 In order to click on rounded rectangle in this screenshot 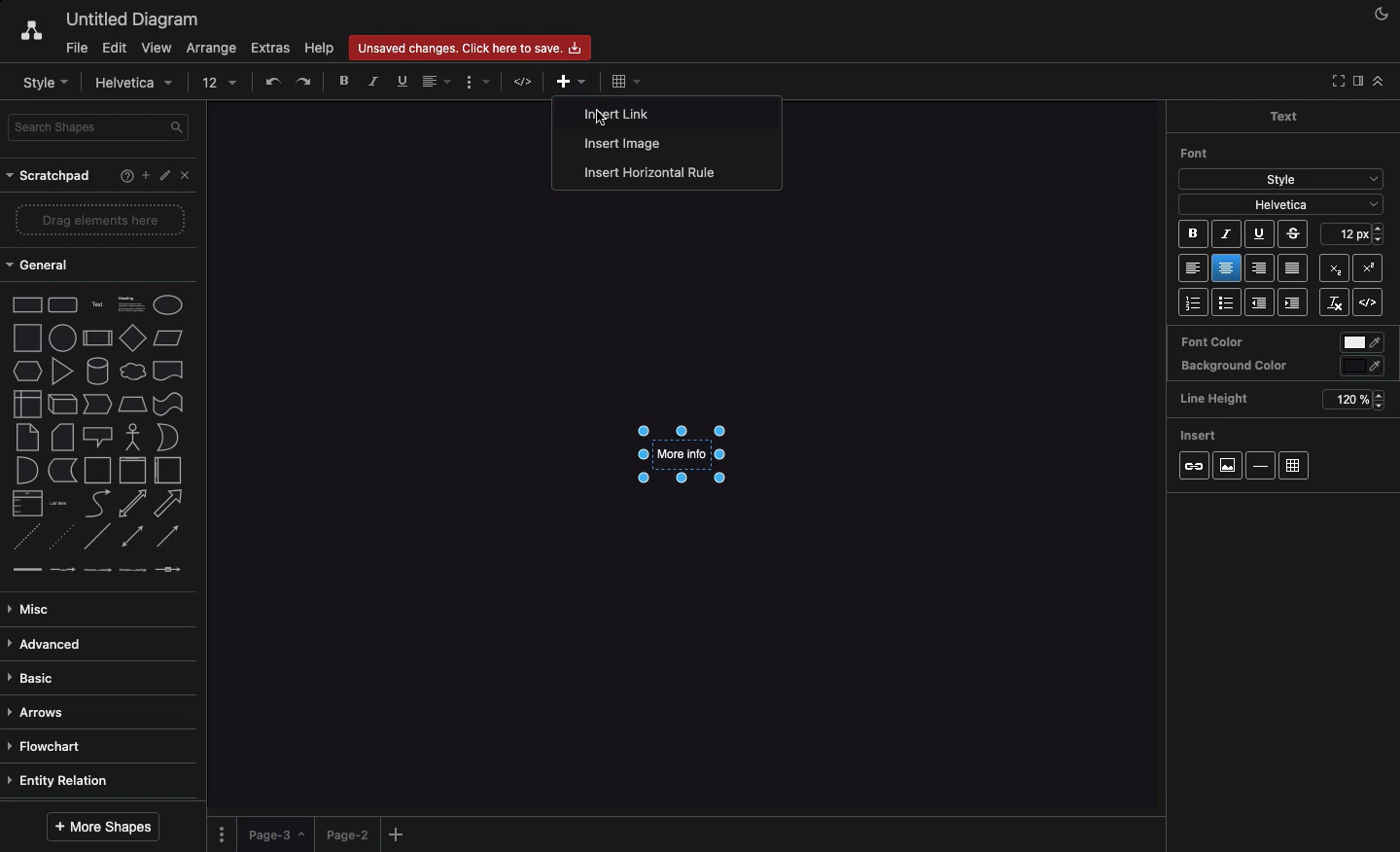, I will do `click(63, 303)`.